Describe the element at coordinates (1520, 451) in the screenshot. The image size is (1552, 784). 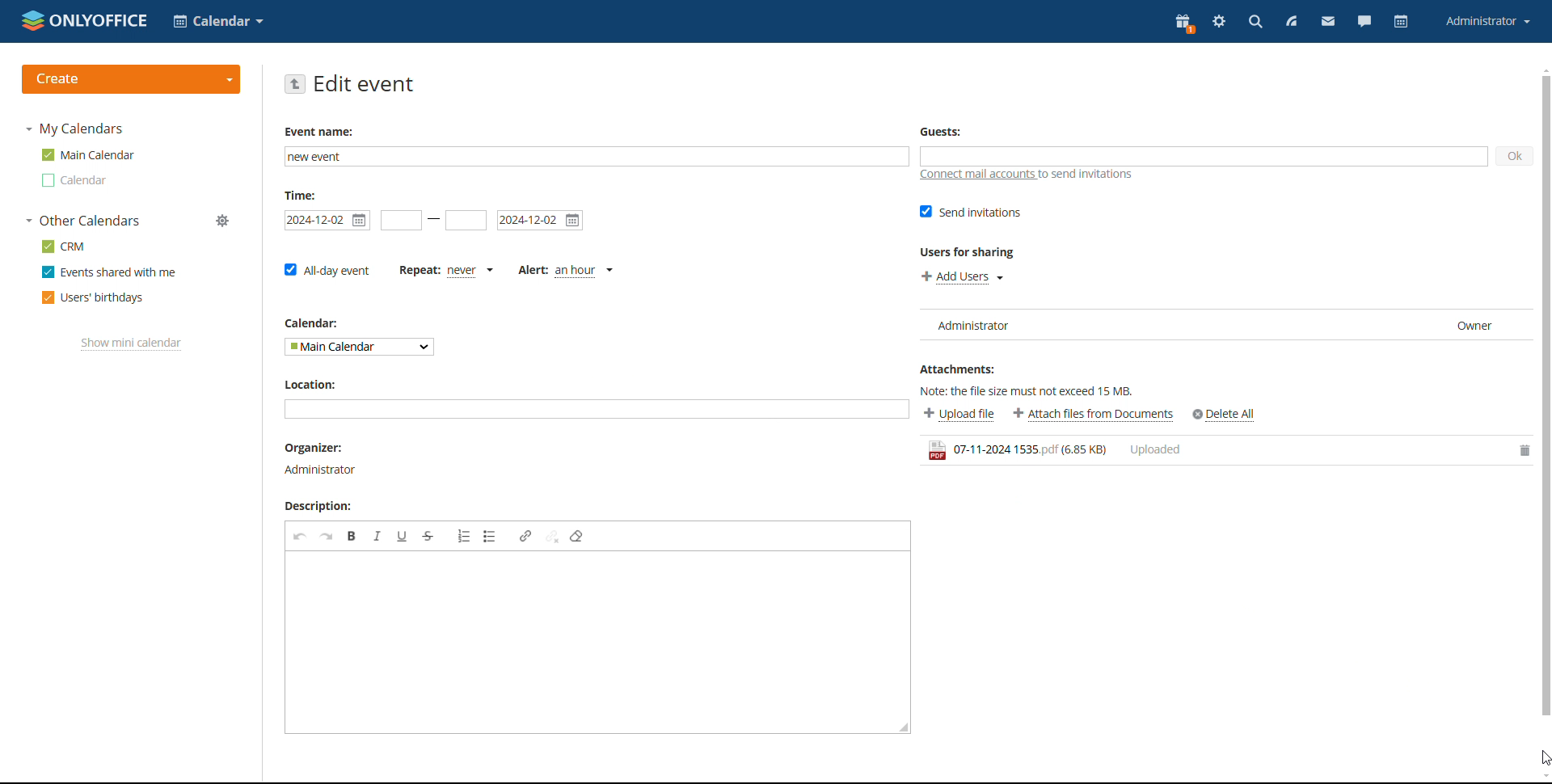
I see `delete` at that location.